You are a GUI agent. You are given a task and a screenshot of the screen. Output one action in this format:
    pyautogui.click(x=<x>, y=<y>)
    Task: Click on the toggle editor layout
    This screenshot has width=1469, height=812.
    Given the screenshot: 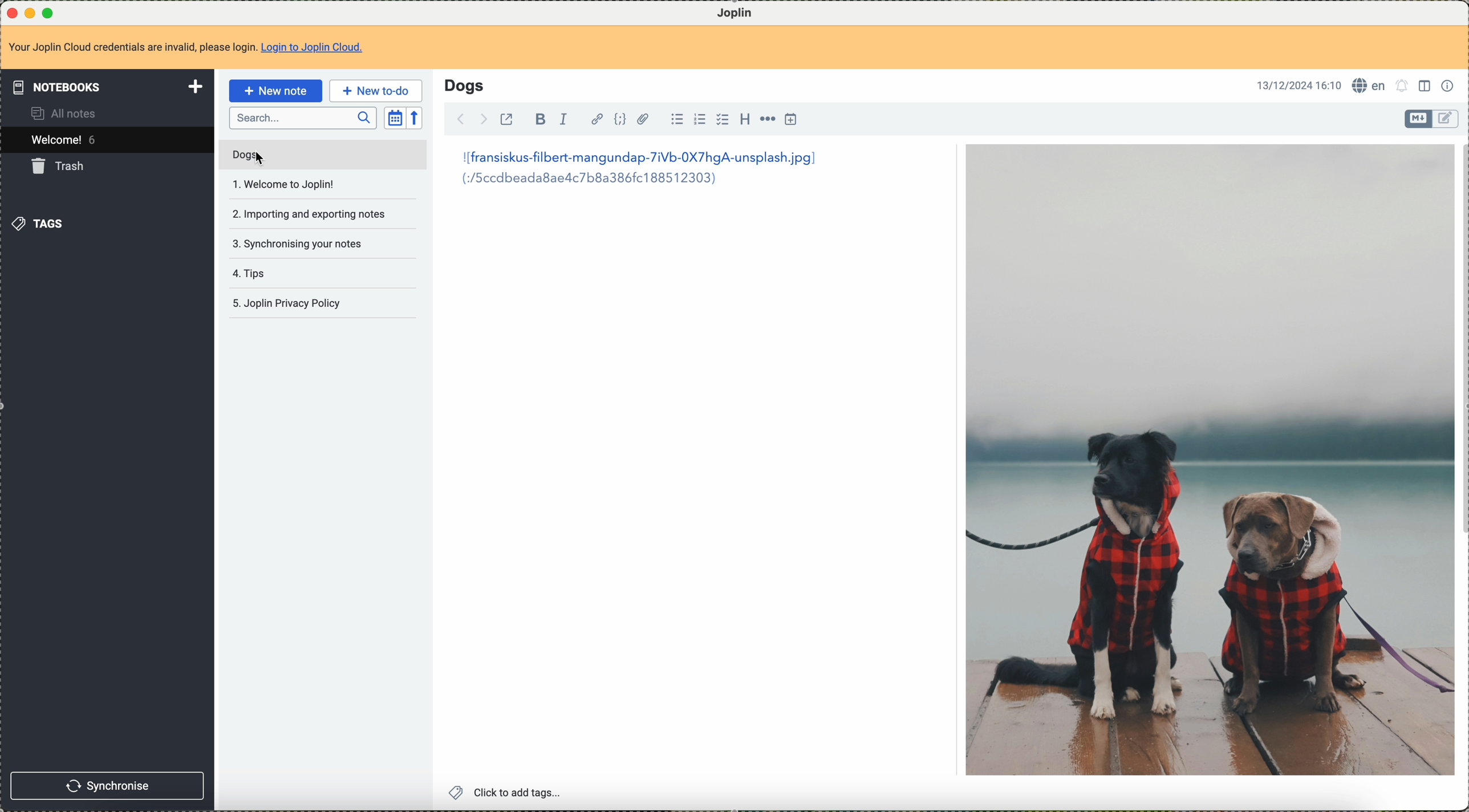 What is the action you would take?
    pyautogui.click(x=1427, y=86)
    